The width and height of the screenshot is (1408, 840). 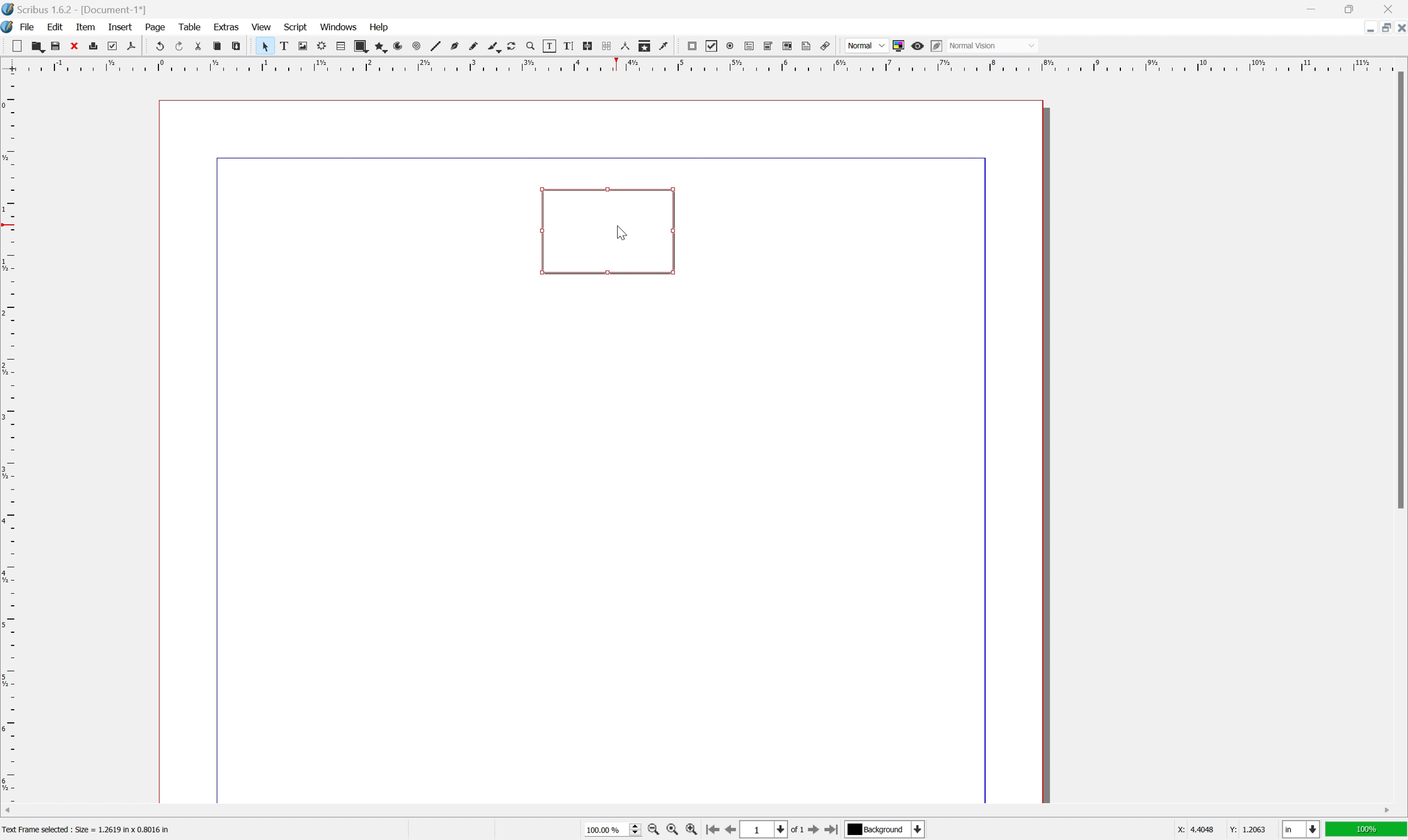 I want to click on scroll bar, so click(x=1397, y=289).